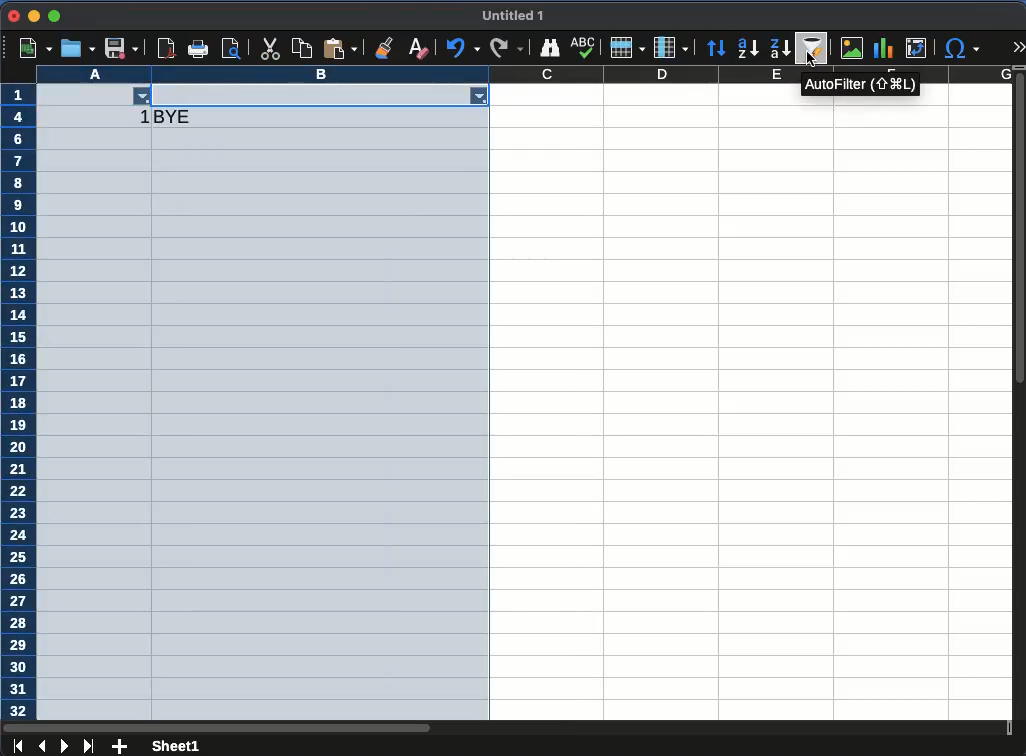 Image resolution: width=1026 pixels, height=756 pixels. Describe the element at coordinates (417, 49) in the screenshot. I see `clear formatting` at that location.